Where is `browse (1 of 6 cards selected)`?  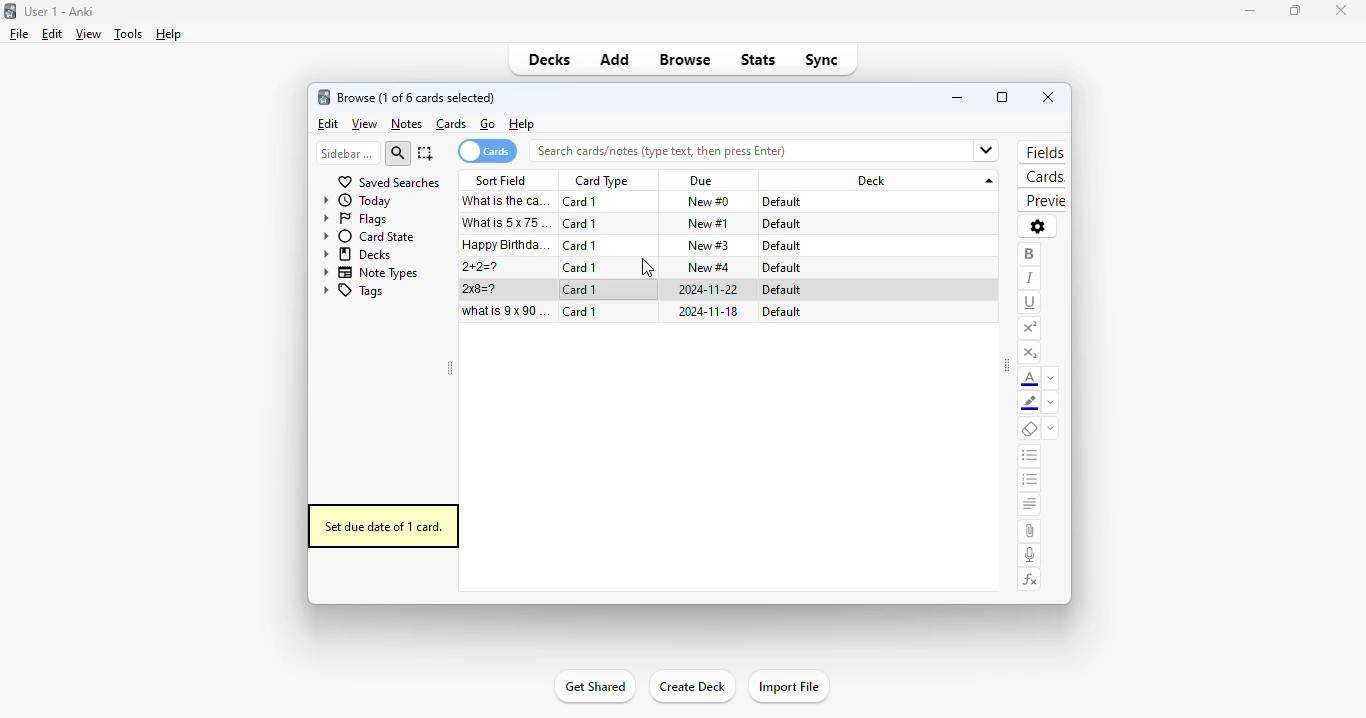
browse (1 of 6 cards selected) is located at coordinates (417, 97).